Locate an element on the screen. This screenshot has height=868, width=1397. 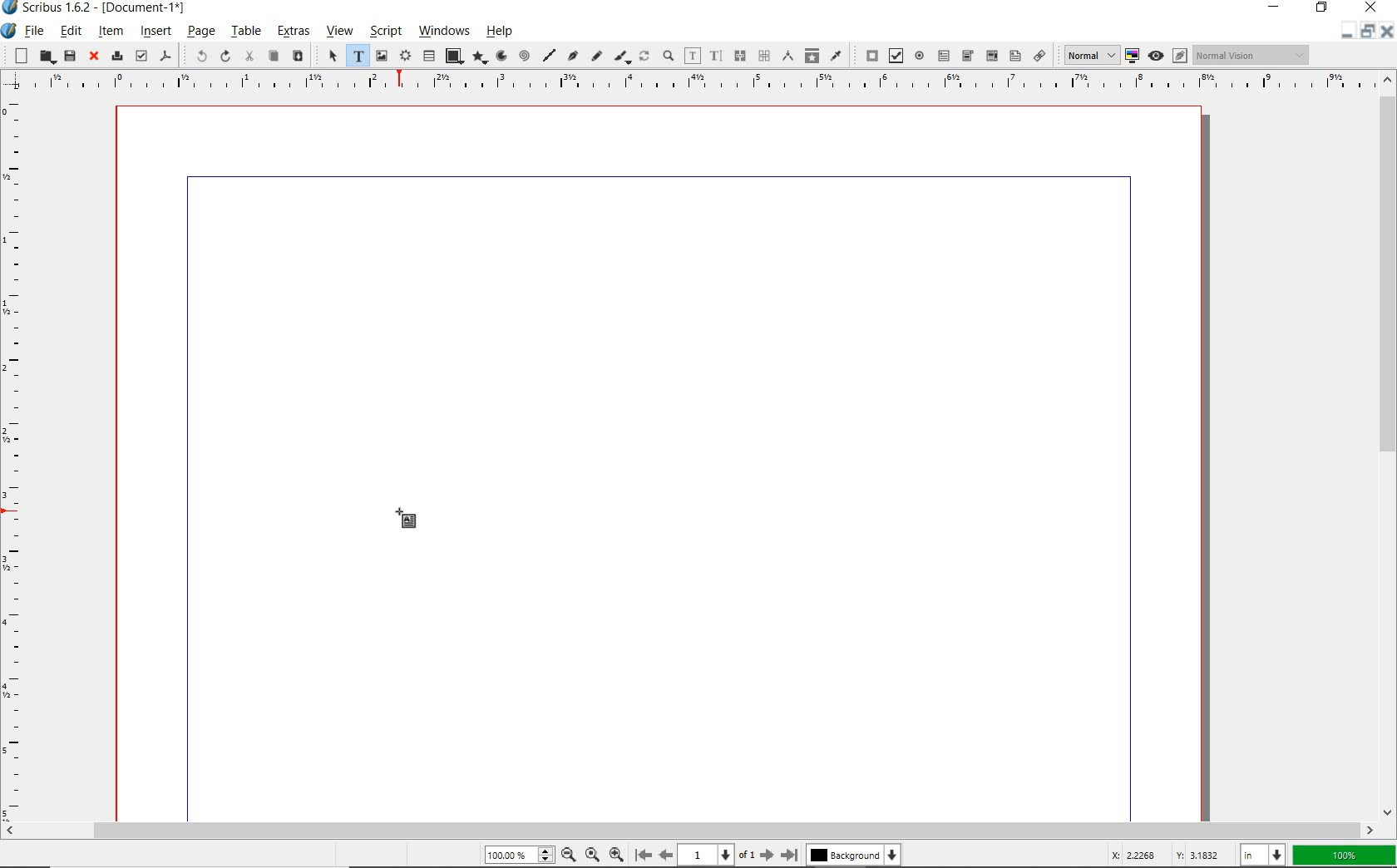
Background is located at coordinates (855, 856).